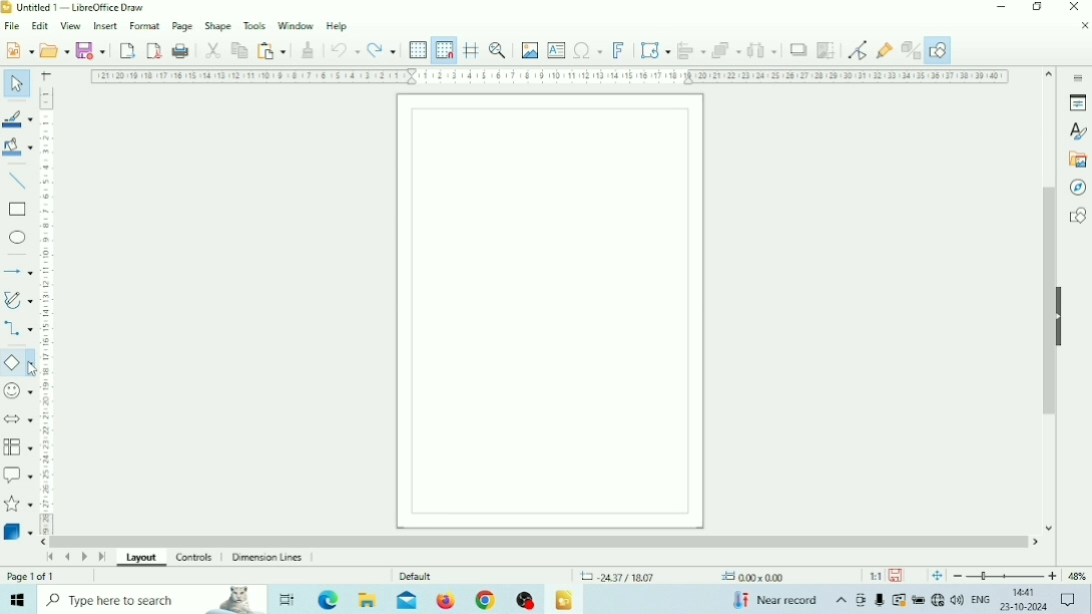  I want to click on Insert Line, so click(18, 182).